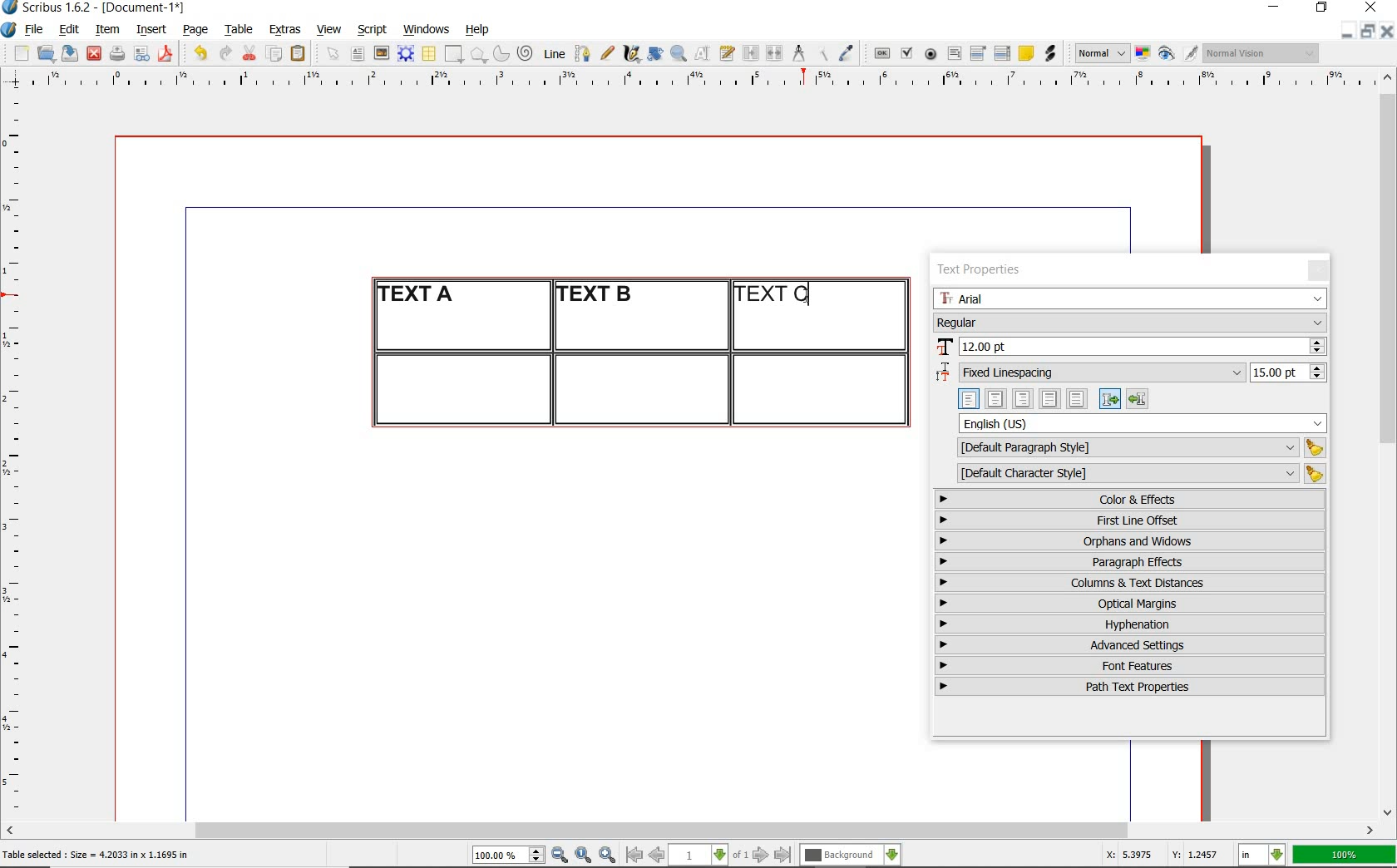  What do you see at coordinates (1052, 53) in the screenshot?
I see `link annotation` at bounding box center [1052, 53].